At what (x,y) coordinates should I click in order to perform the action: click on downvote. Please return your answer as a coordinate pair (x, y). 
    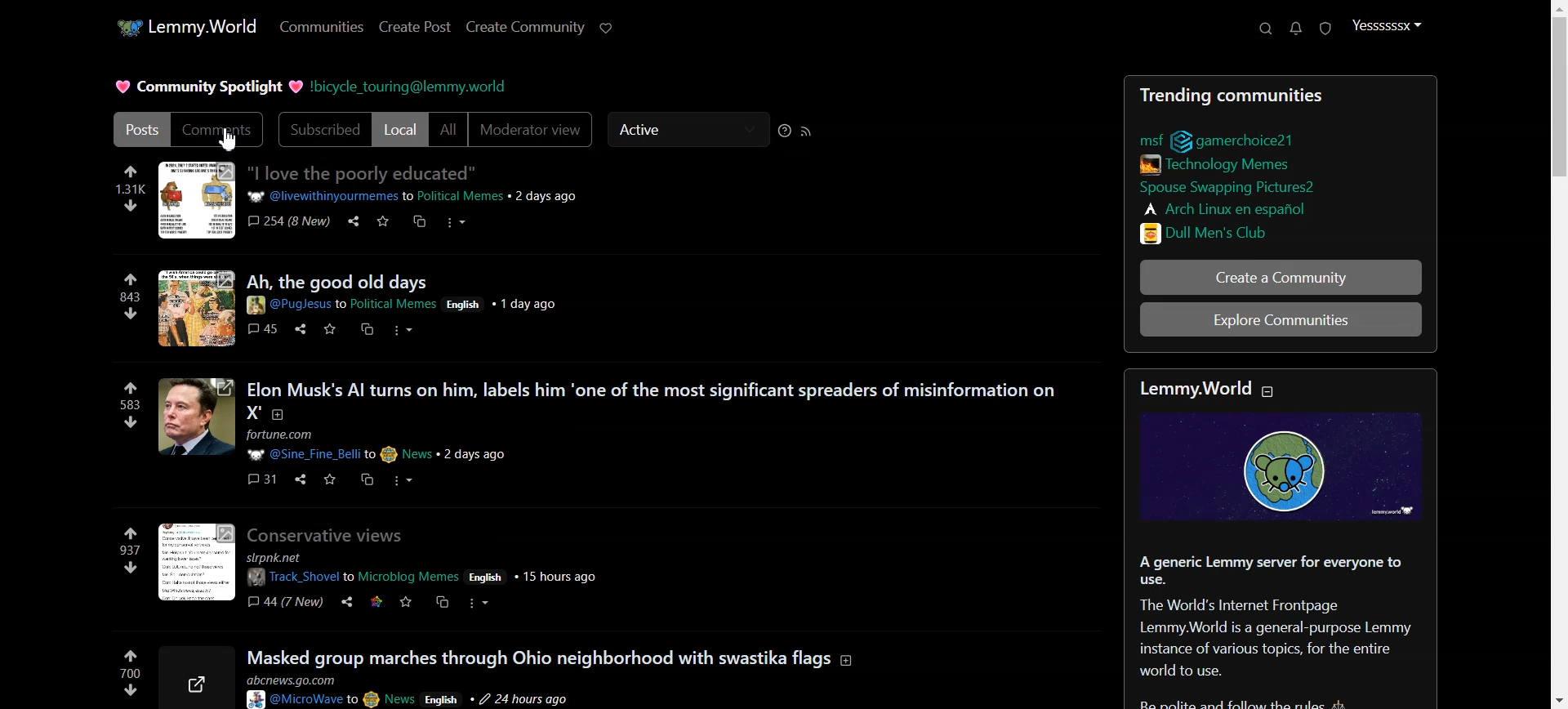
    Looking at the image, I should click on (131, 421).